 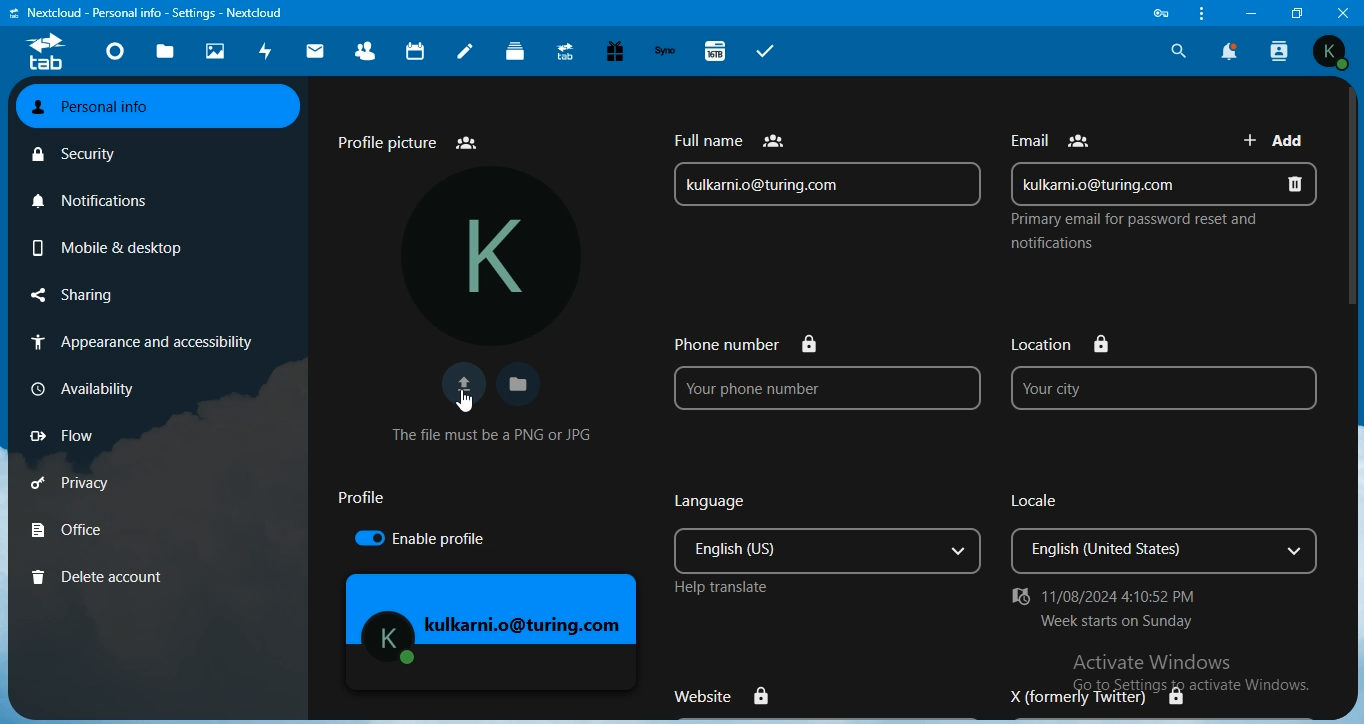 What do you see at coordinates (462, 386) in the screenshot?
I see `upload` at bounding box center [462, 386].